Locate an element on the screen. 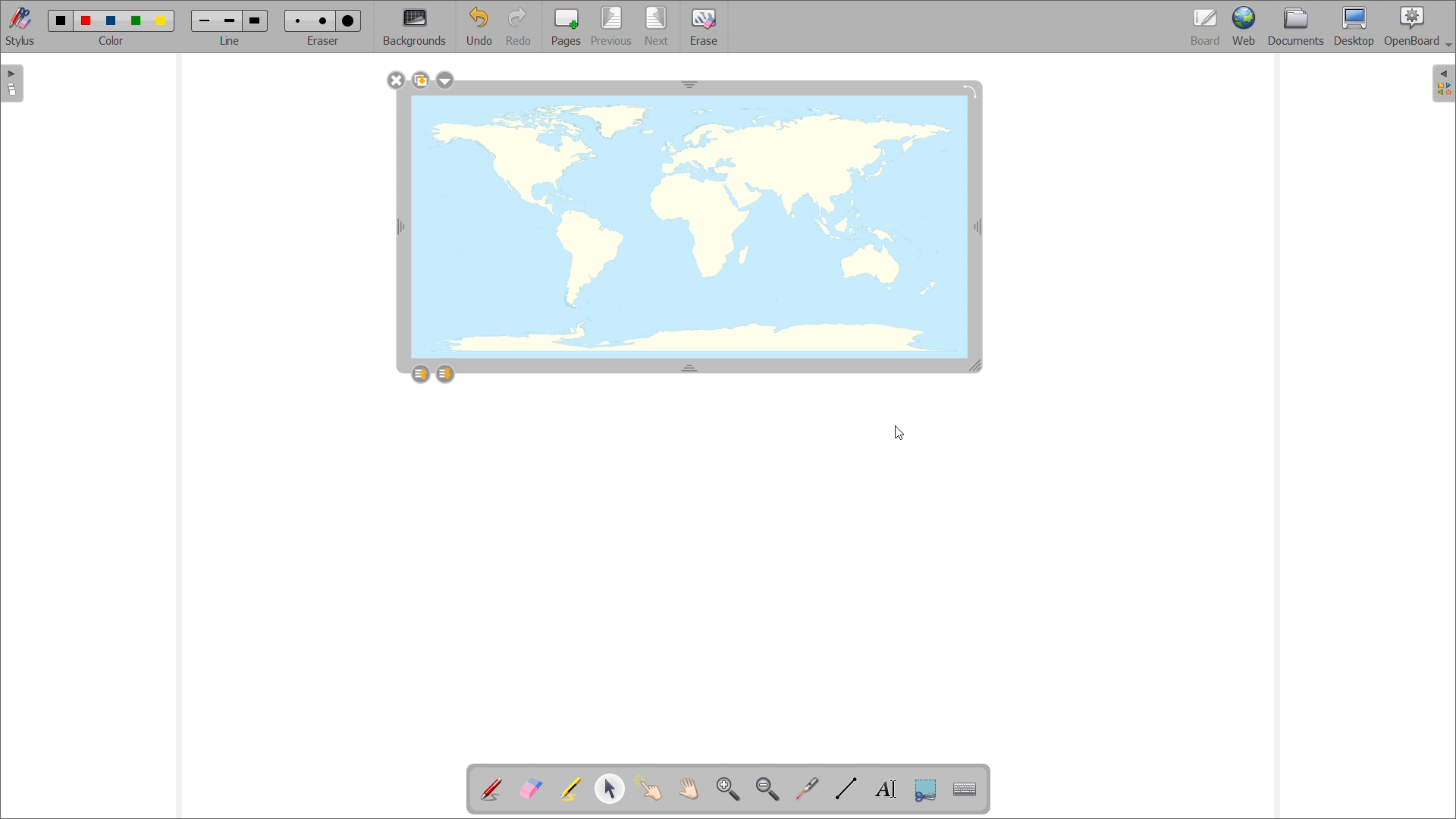  zoom in is located at coordinates (730, 790).